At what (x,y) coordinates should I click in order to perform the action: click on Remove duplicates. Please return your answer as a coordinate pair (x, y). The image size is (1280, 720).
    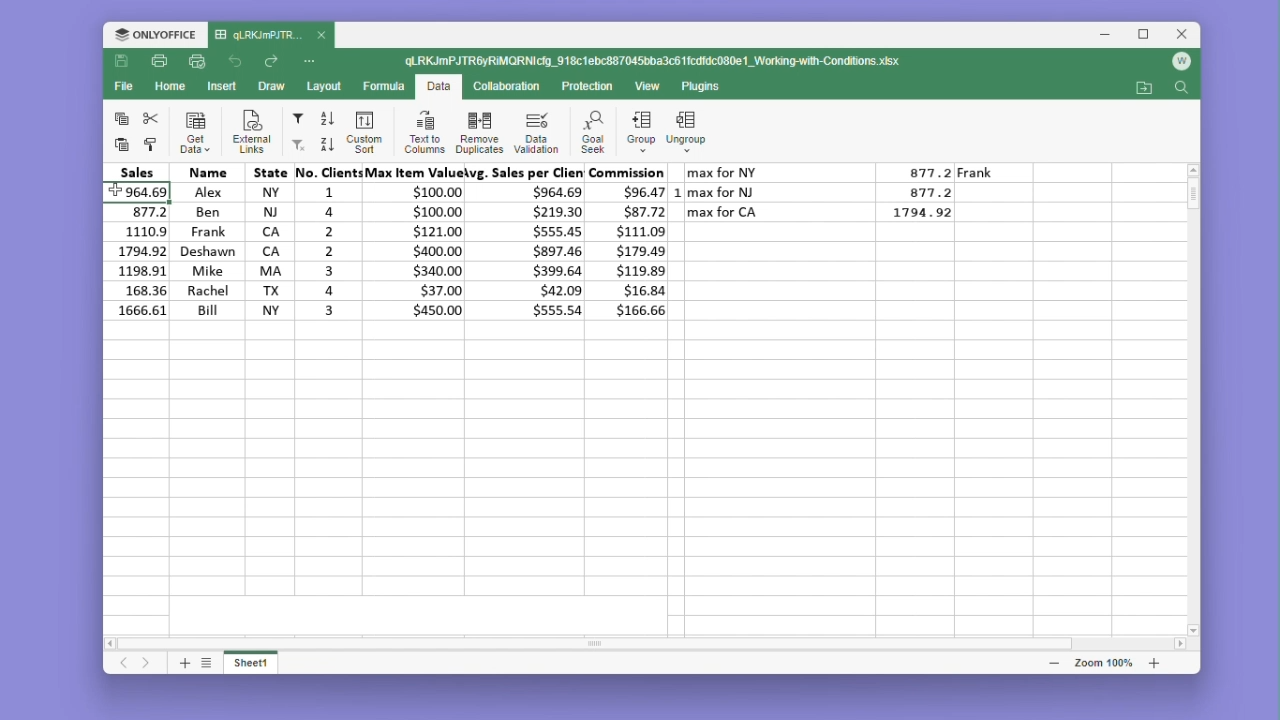
    Looking at the image, I should click on (479, 131).